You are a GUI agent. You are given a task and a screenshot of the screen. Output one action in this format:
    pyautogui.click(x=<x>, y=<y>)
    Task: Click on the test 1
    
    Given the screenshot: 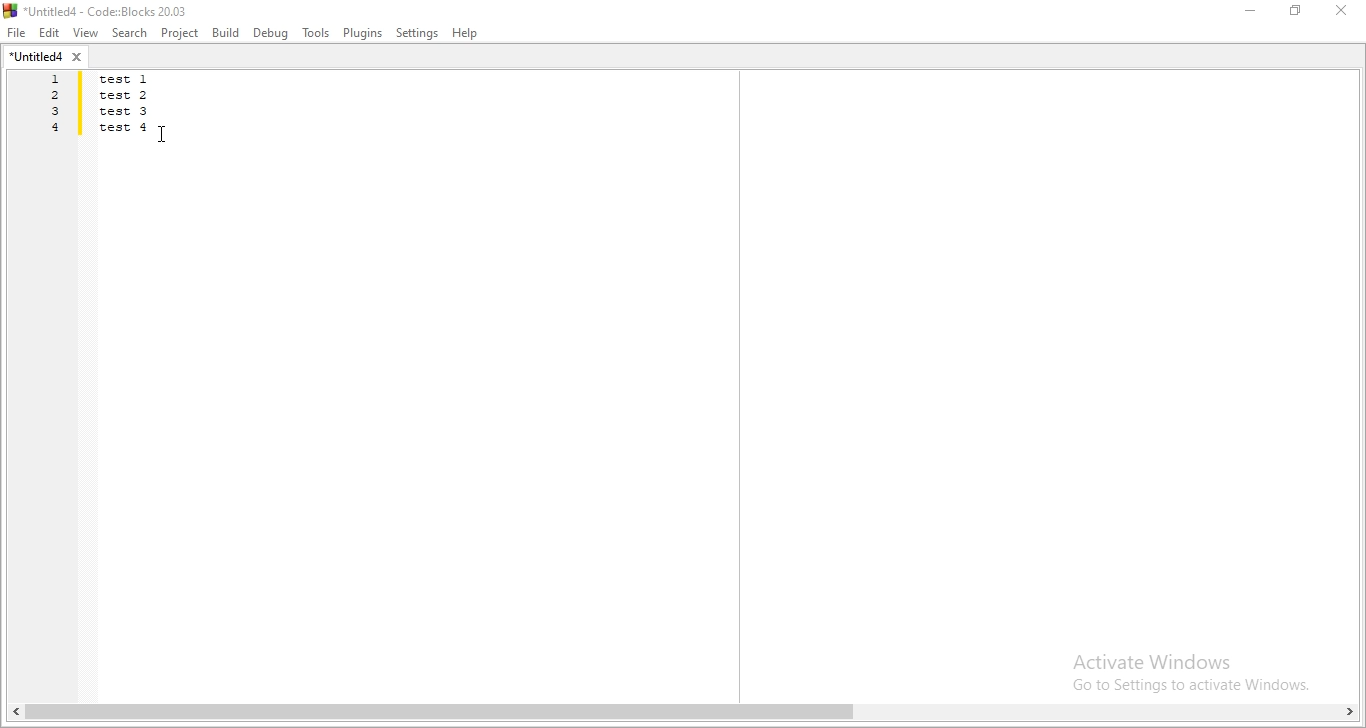 What is the action you would take?
    pyautogui.click(x=137, y=79)
    